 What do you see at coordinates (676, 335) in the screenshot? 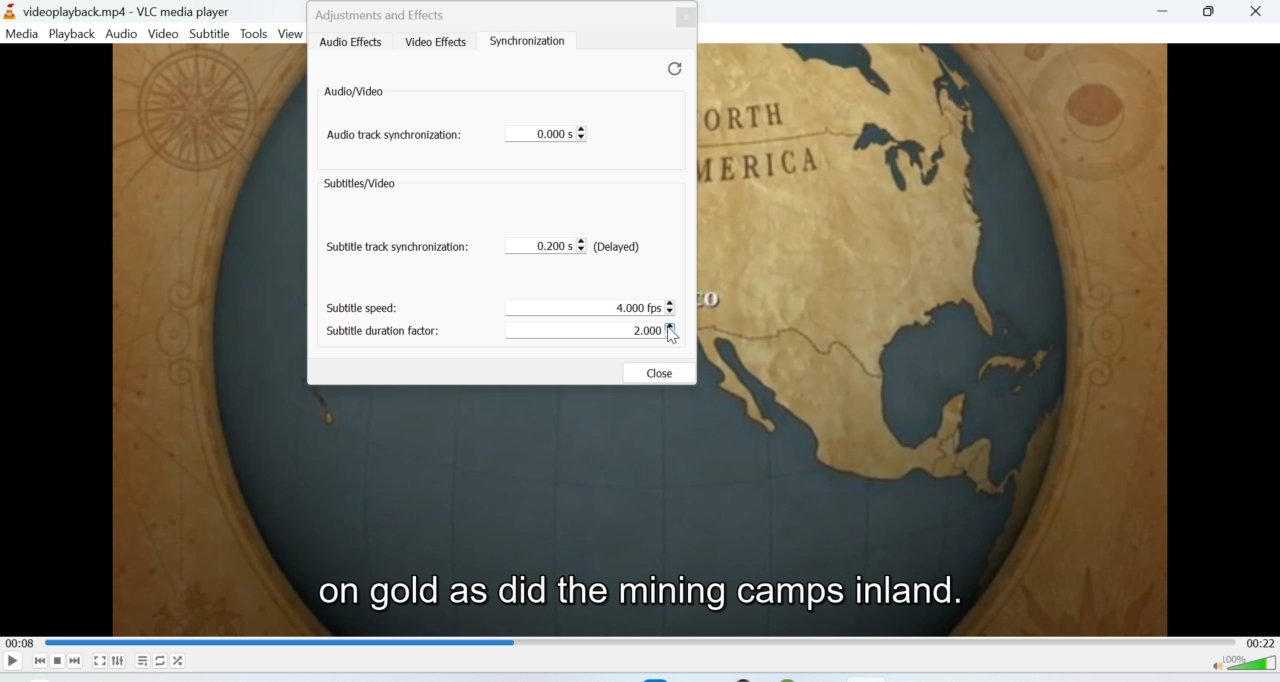
I see `cursor on subtitle duration factor input` at bounding box center [676, 335].